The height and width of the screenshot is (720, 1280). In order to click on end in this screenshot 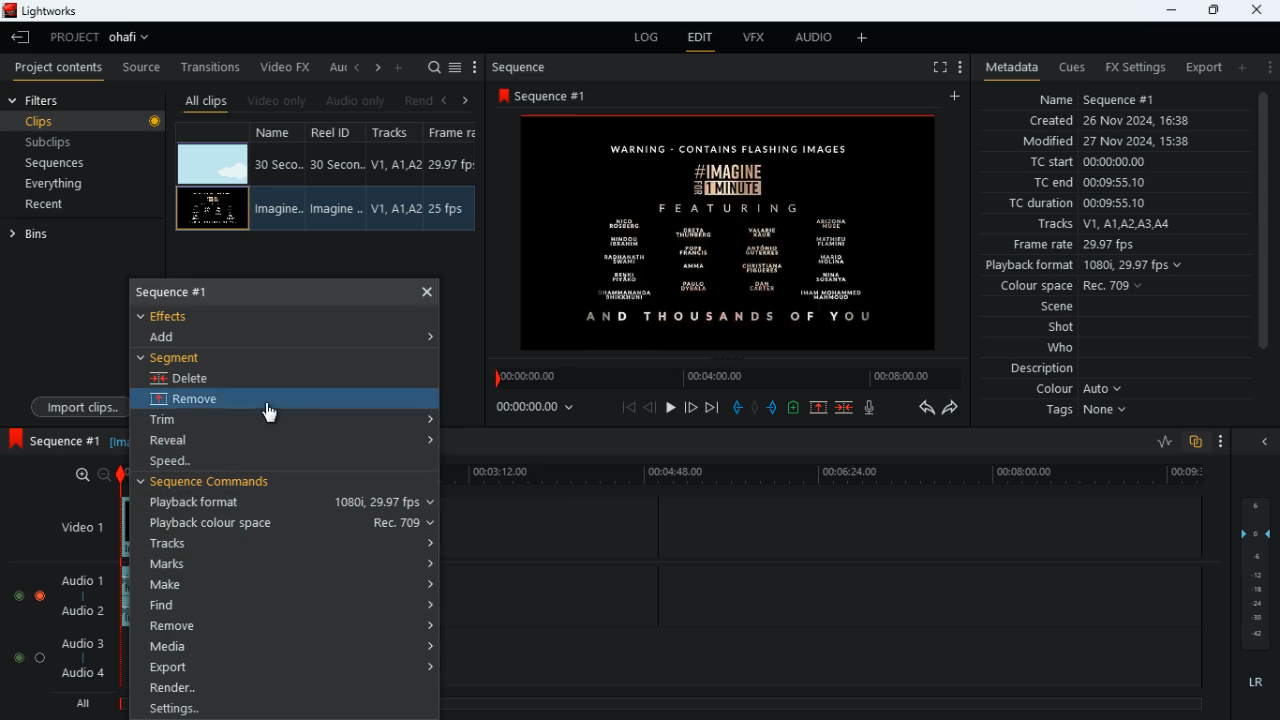, I will do `click(714, 407)`.